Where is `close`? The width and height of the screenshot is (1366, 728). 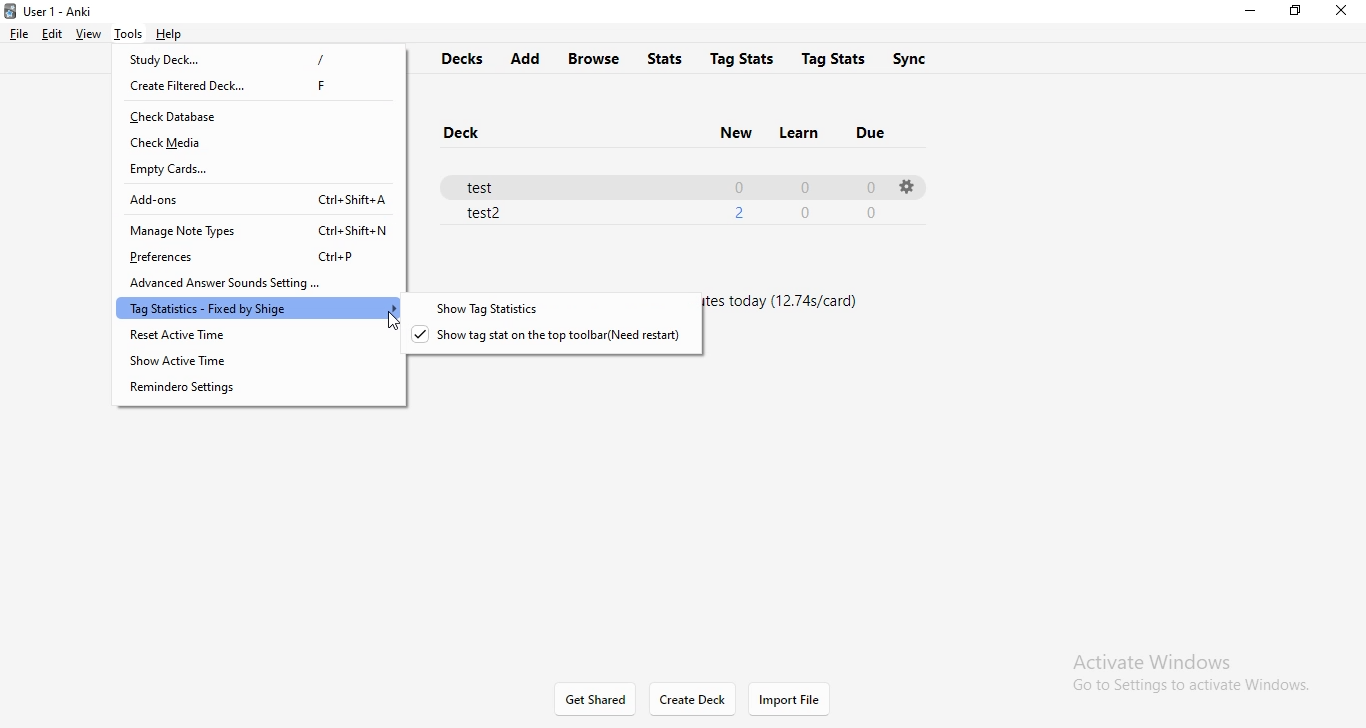
close is located at coordinates (1342, 11).